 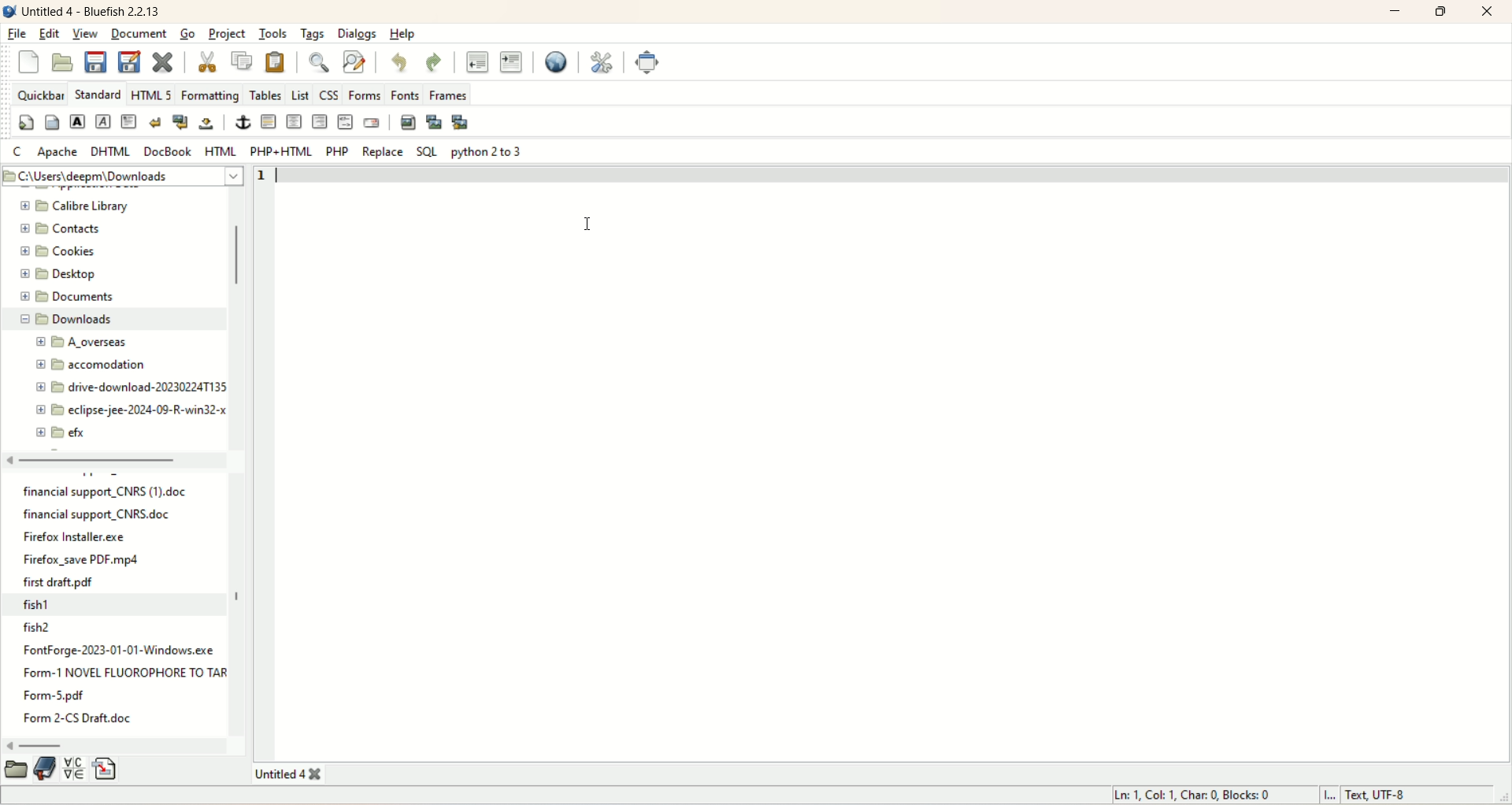 What do you see at coordinates (356, 62) in the screenshot?
I see `advance find and replace` at bounding box center [356, 62].